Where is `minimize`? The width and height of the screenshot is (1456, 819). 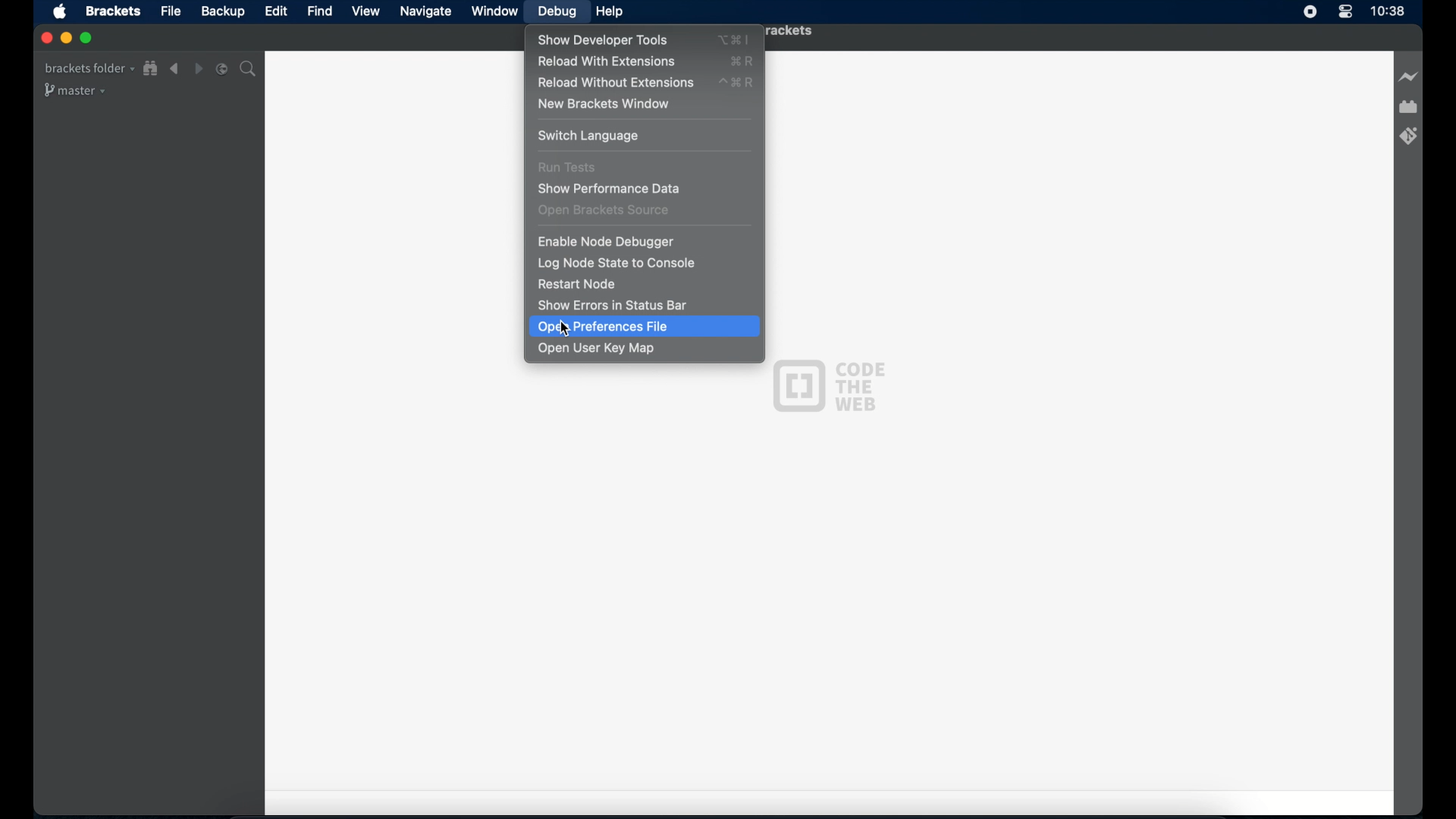 minimize is located at coordinates (67, 39).